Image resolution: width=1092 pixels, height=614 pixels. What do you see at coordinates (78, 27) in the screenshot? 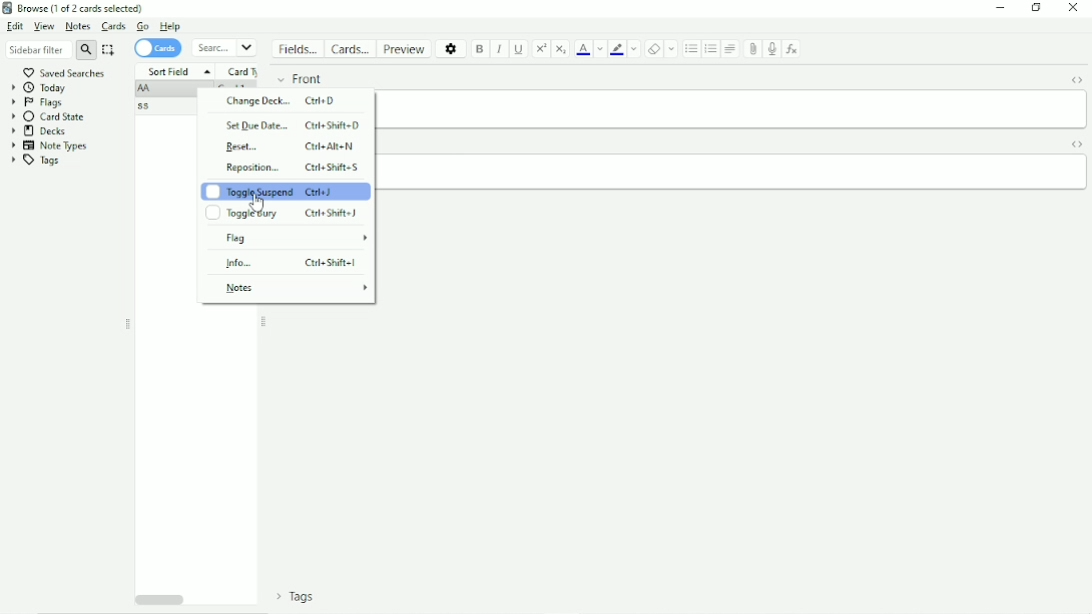
I see `Notes` at bounding box center [78, 27].